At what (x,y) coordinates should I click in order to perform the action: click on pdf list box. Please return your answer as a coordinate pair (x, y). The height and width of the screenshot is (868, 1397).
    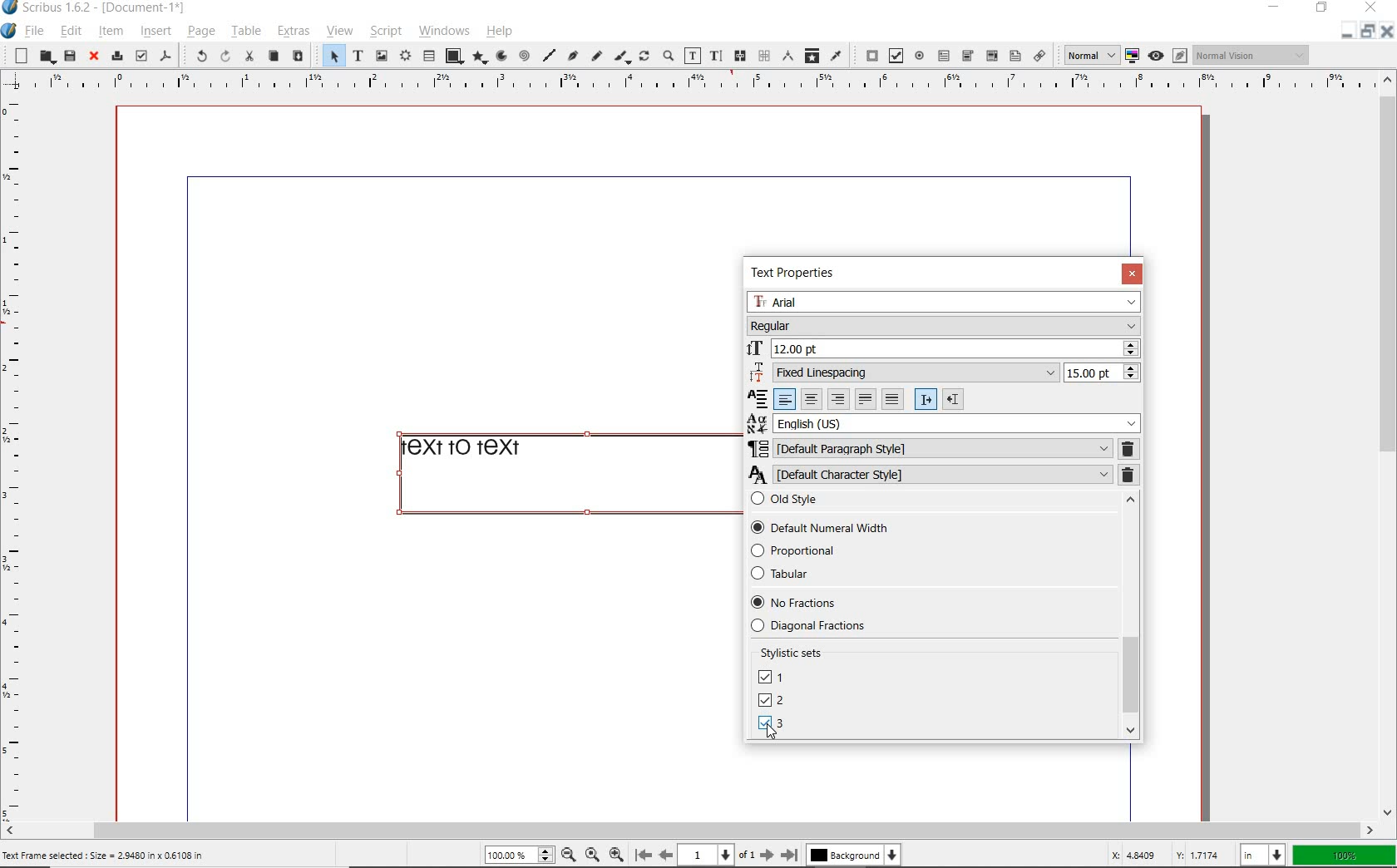
    Looking at the image, I should click on (990, 55).